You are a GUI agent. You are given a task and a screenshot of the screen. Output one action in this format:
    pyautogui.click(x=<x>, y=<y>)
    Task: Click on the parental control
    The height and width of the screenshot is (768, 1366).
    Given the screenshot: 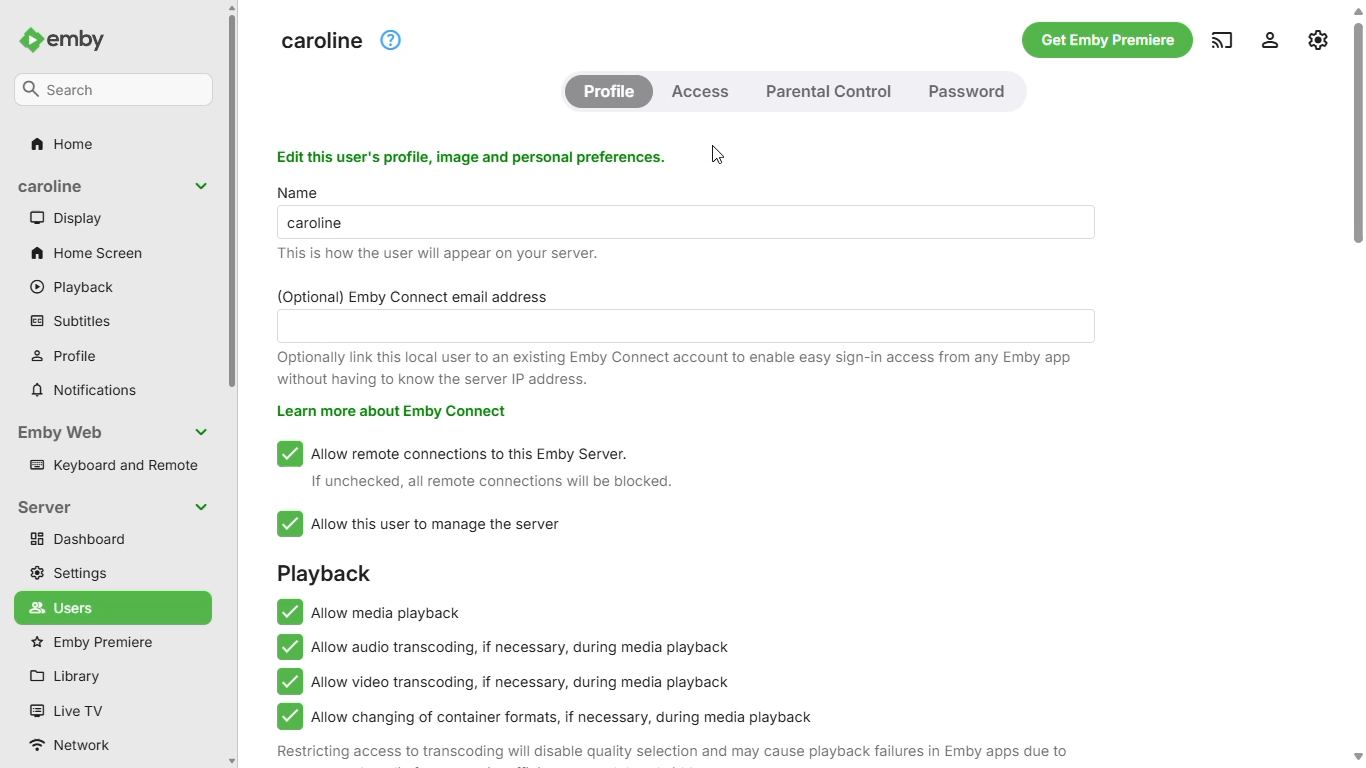 What is the action you would take?
    pyautogui.click(x=827, y=91)
    